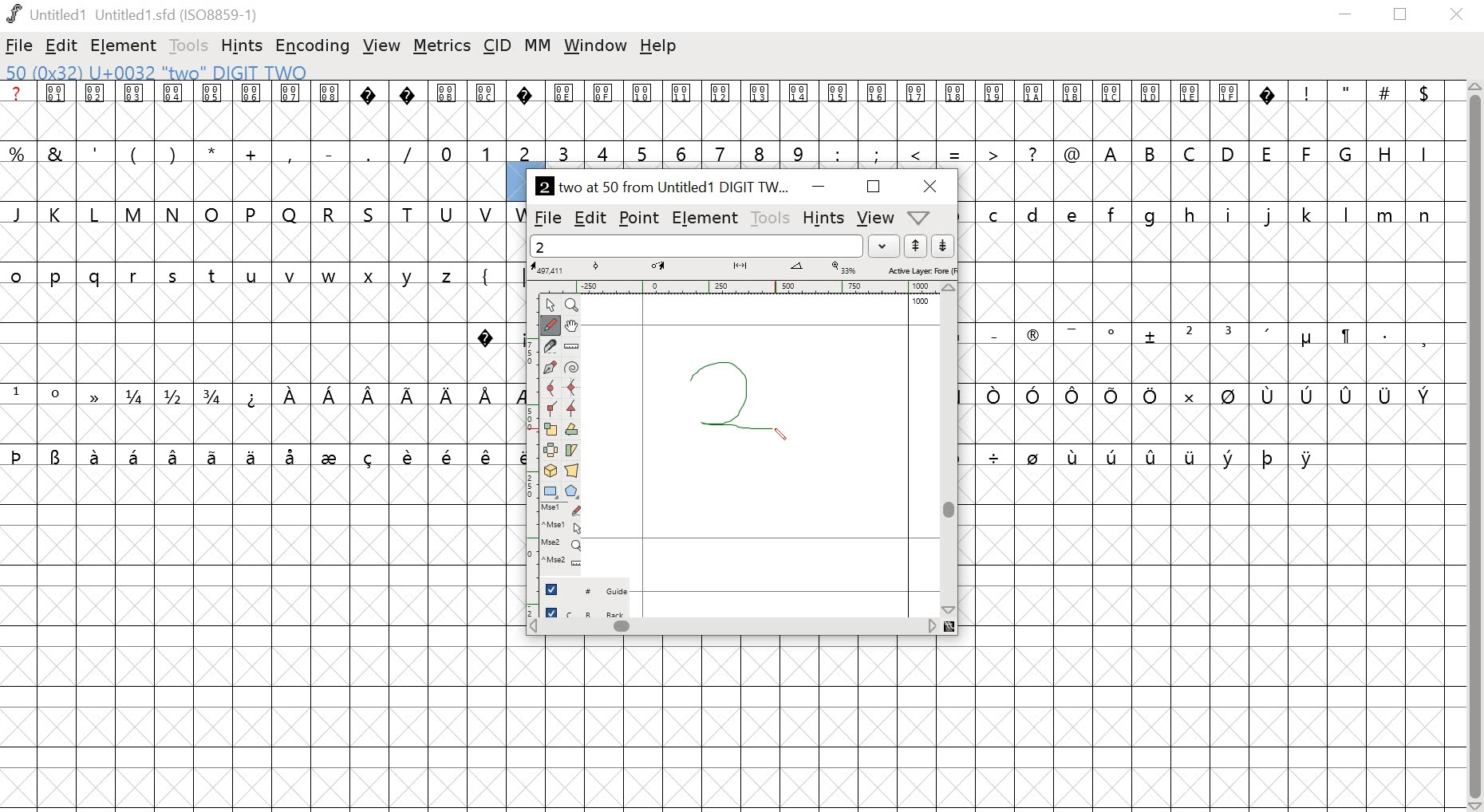 The width and height of the screenshot is (1484, 812). What do you see at coordinates (552, 491) in the screenshot?
I see `rectangle/ellipse` at bounding box center [552, 491].